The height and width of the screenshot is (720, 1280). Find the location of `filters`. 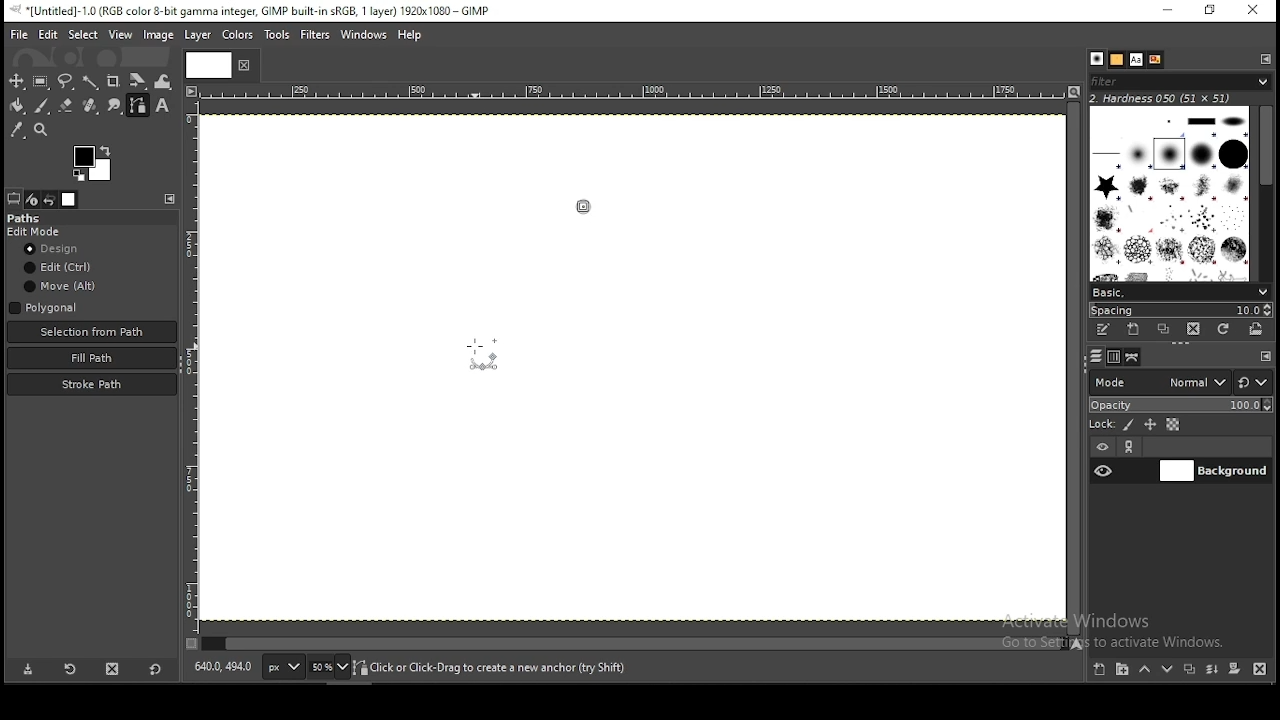

filters is located at coordinates (314, 34).